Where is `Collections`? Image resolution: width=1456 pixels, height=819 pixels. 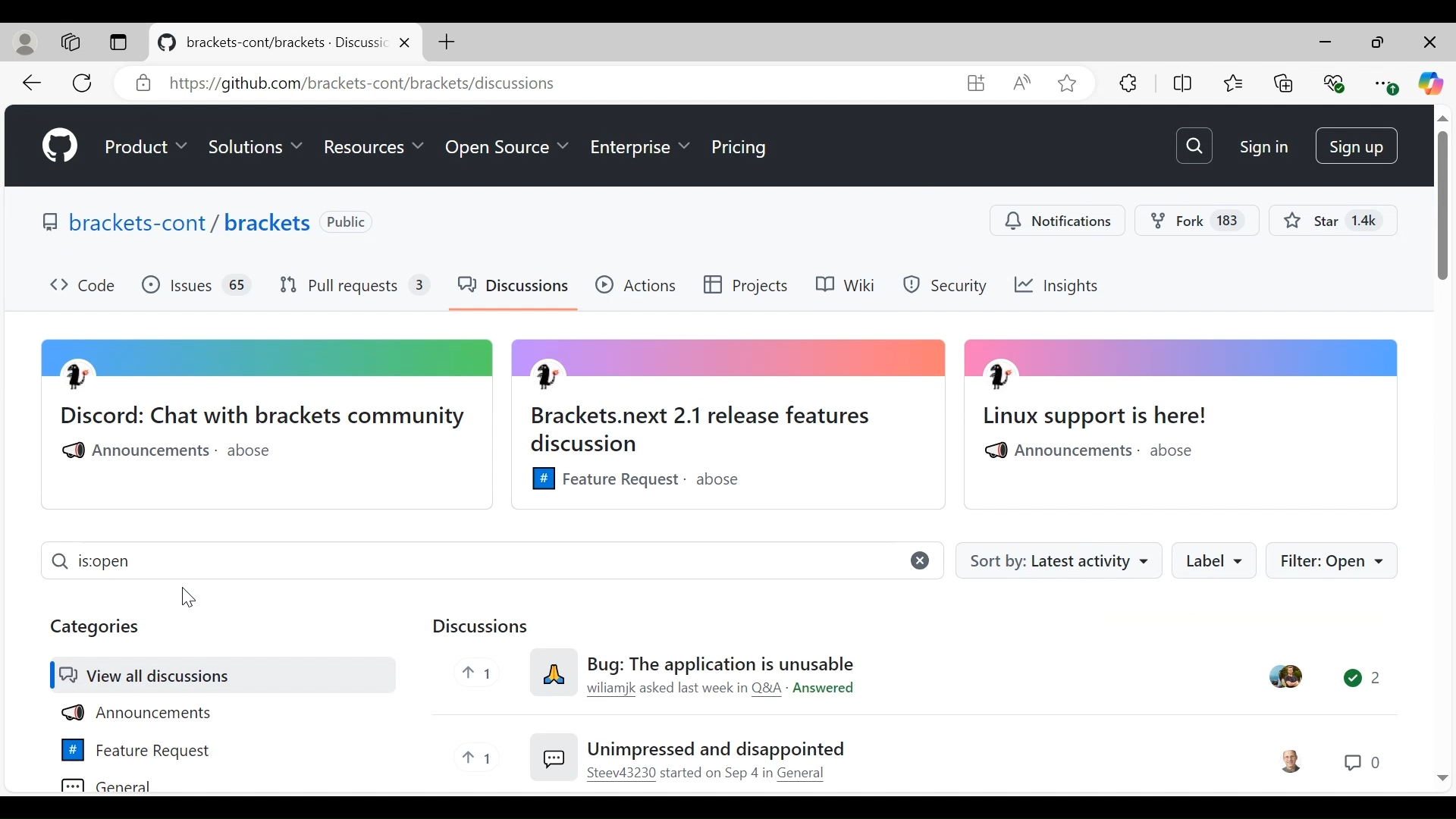
Collections is located at coordinates (1284, 83).